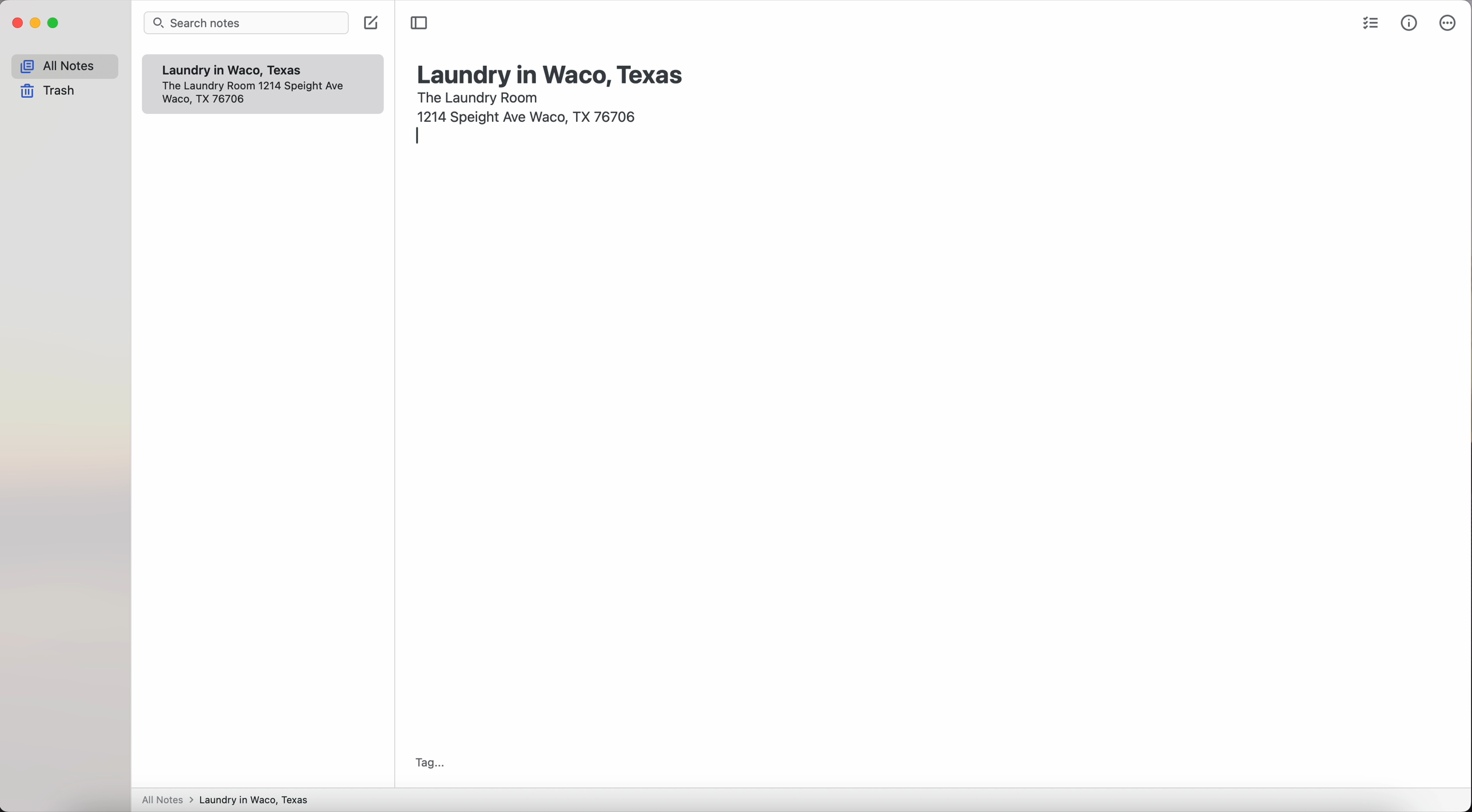 Image resolution: width=1472 pixels, height=812 pixels. Describe the element at coordinates (249, 24) in the screenshot. I see `search bar` at that location.